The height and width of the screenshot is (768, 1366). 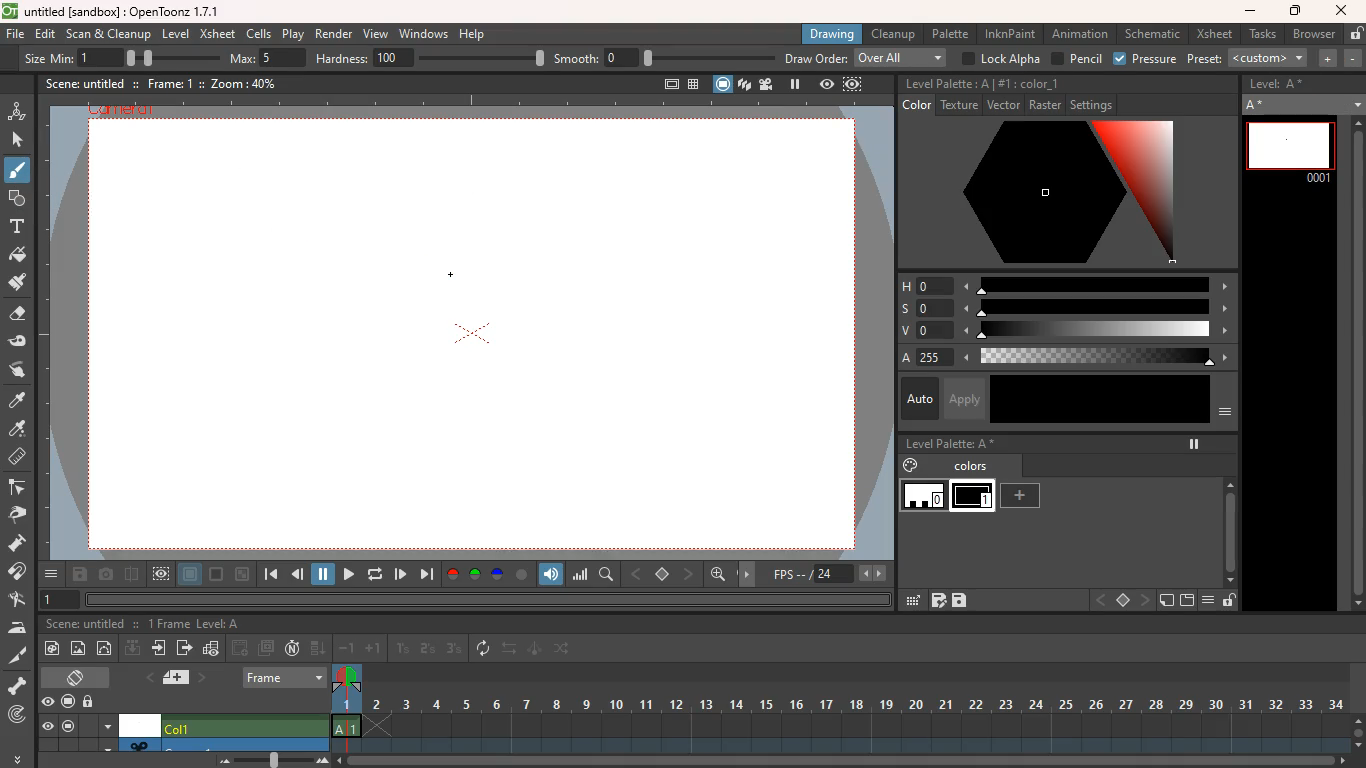 What do you see at coordinates (19, 686) in the screenshot?
I see `skeleton` at bounding box center [19, 686].